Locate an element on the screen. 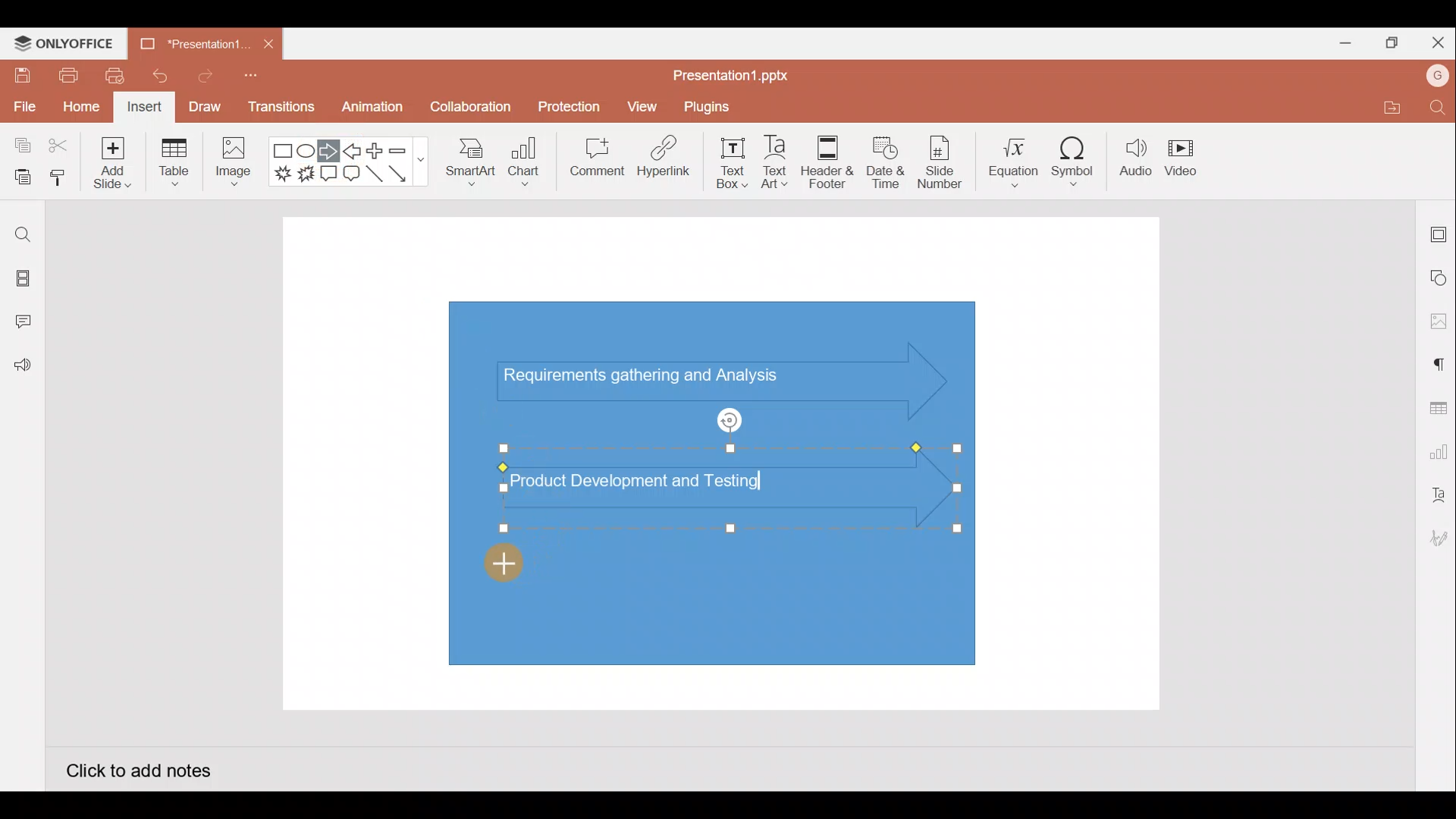 The image size is (1456, 819). Left arrow is located at coordinates (353, 151).